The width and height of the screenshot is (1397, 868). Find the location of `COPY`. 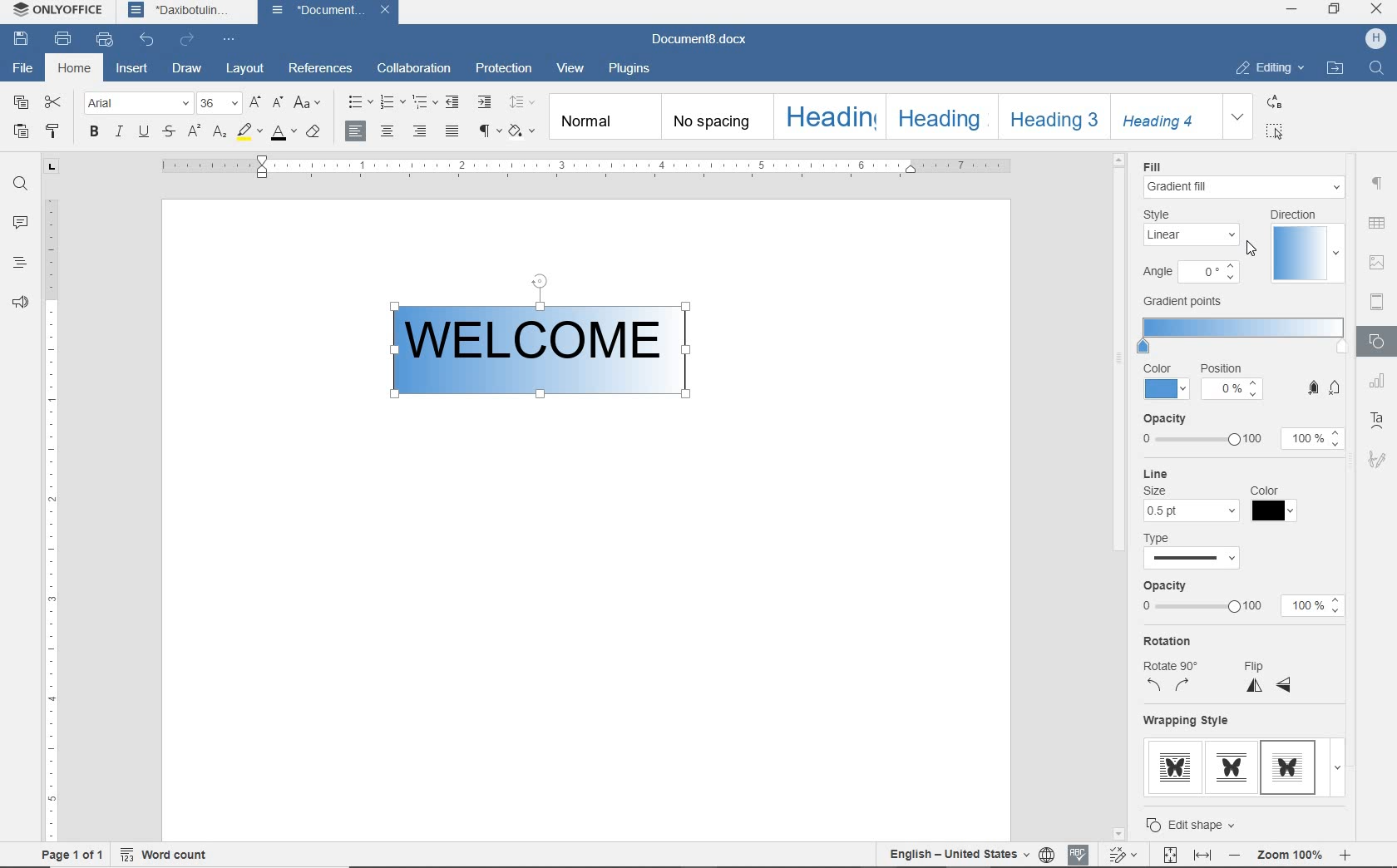

COPY is located at coordinates (21, 102).